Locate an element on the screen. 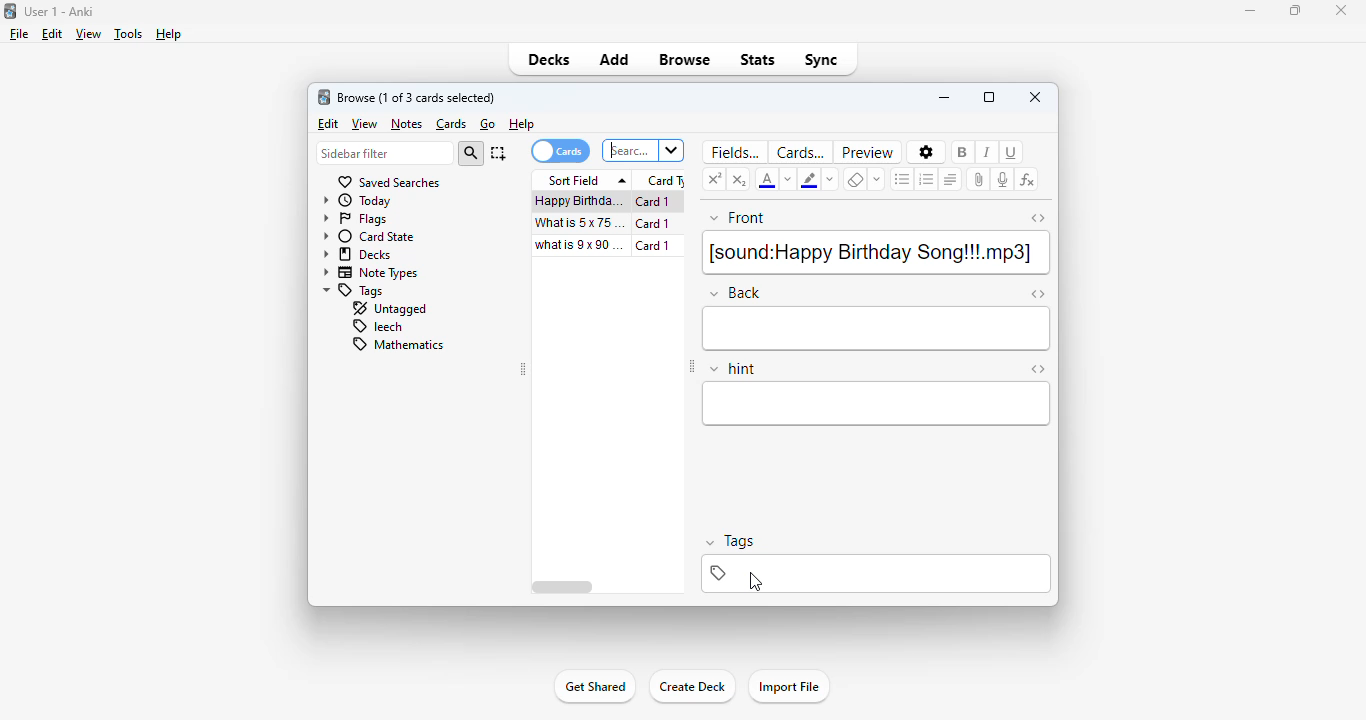 The height and width of the screenshot is (720, 1366). select is located at coordinates (498, 153).